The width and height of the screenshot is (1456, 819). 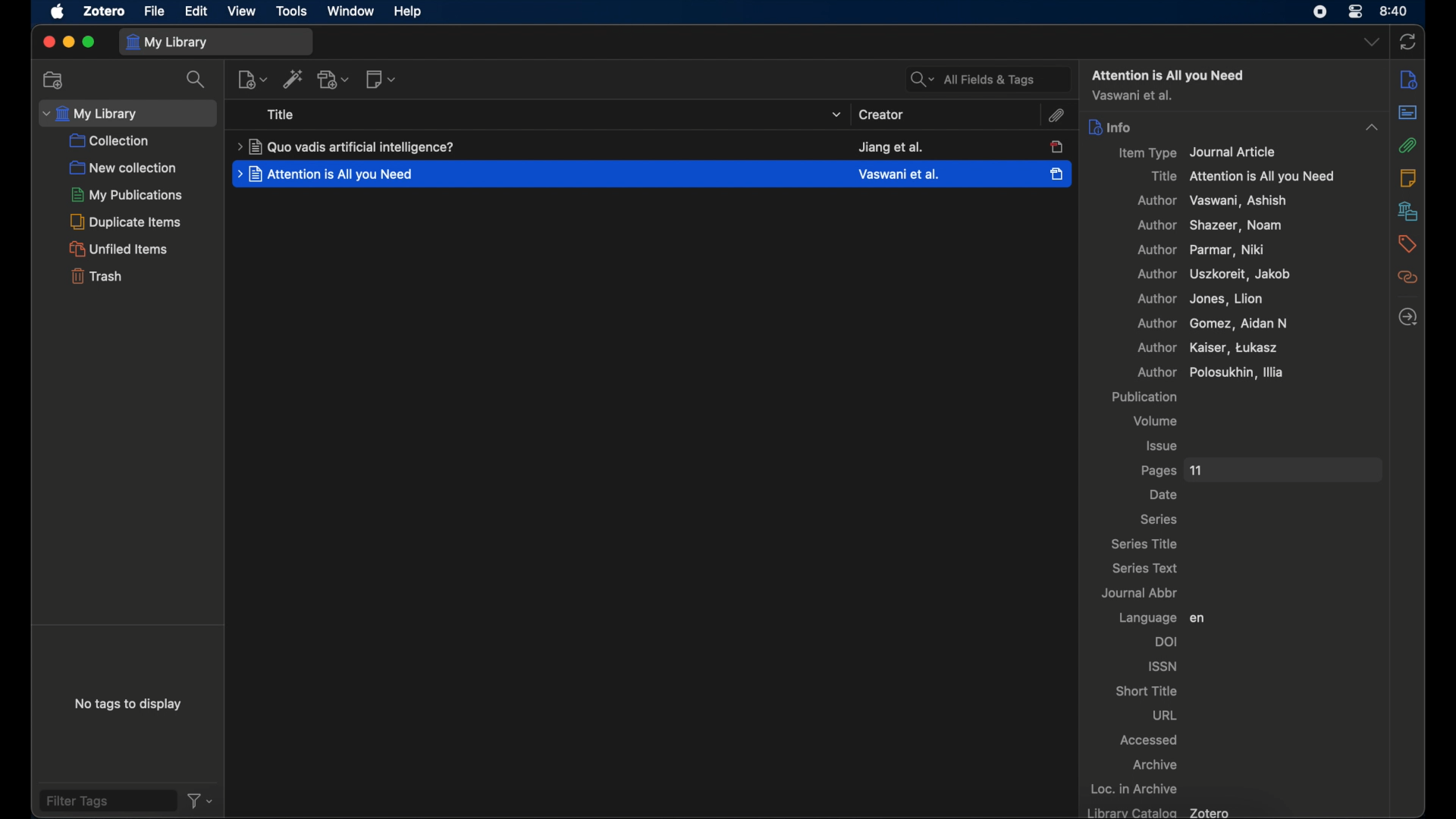 I want to click on file, so click(x=154, y=11).